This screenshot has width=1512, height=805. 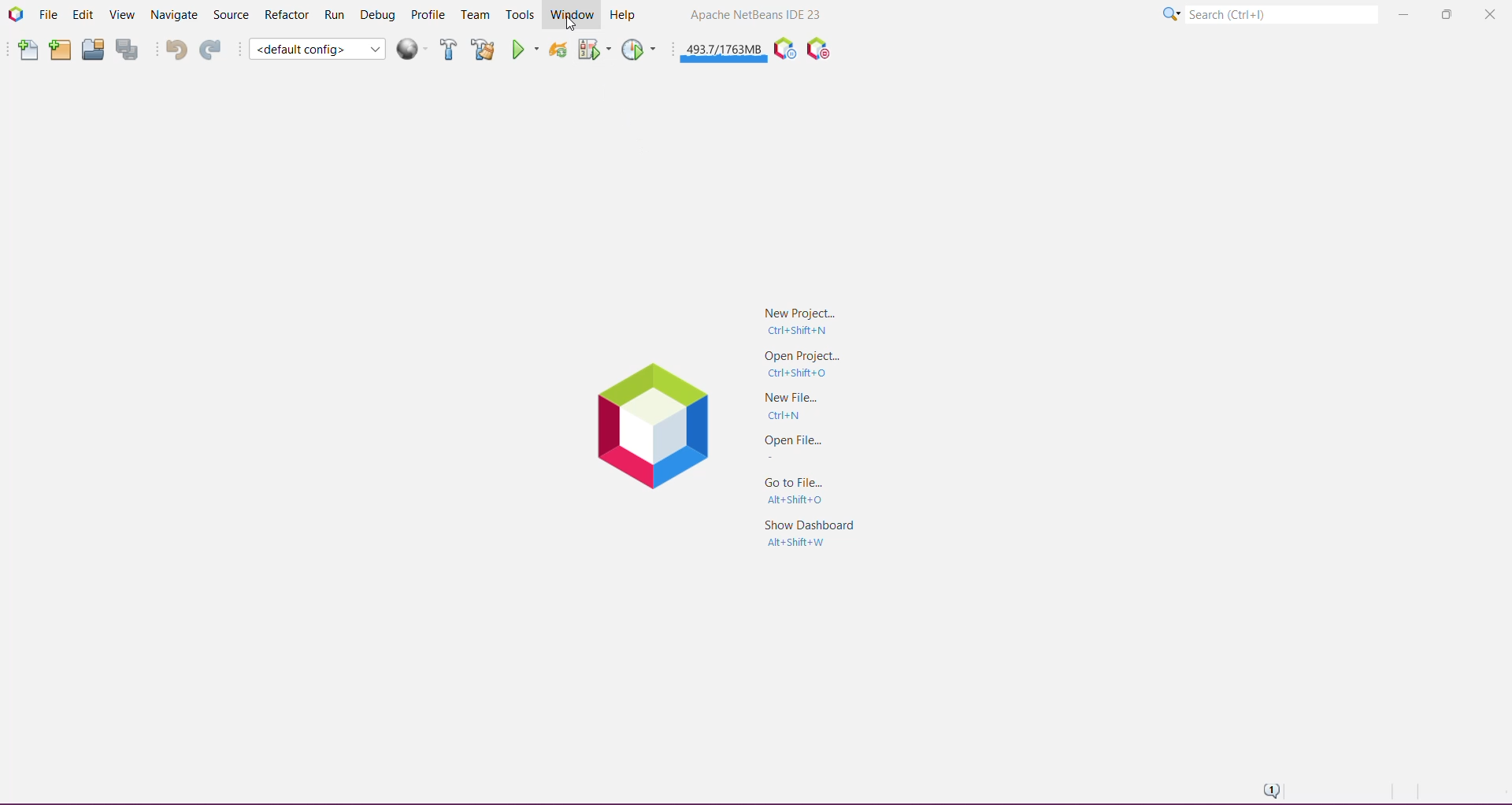 I want to click on Refactor, so click(x=286, y=16).